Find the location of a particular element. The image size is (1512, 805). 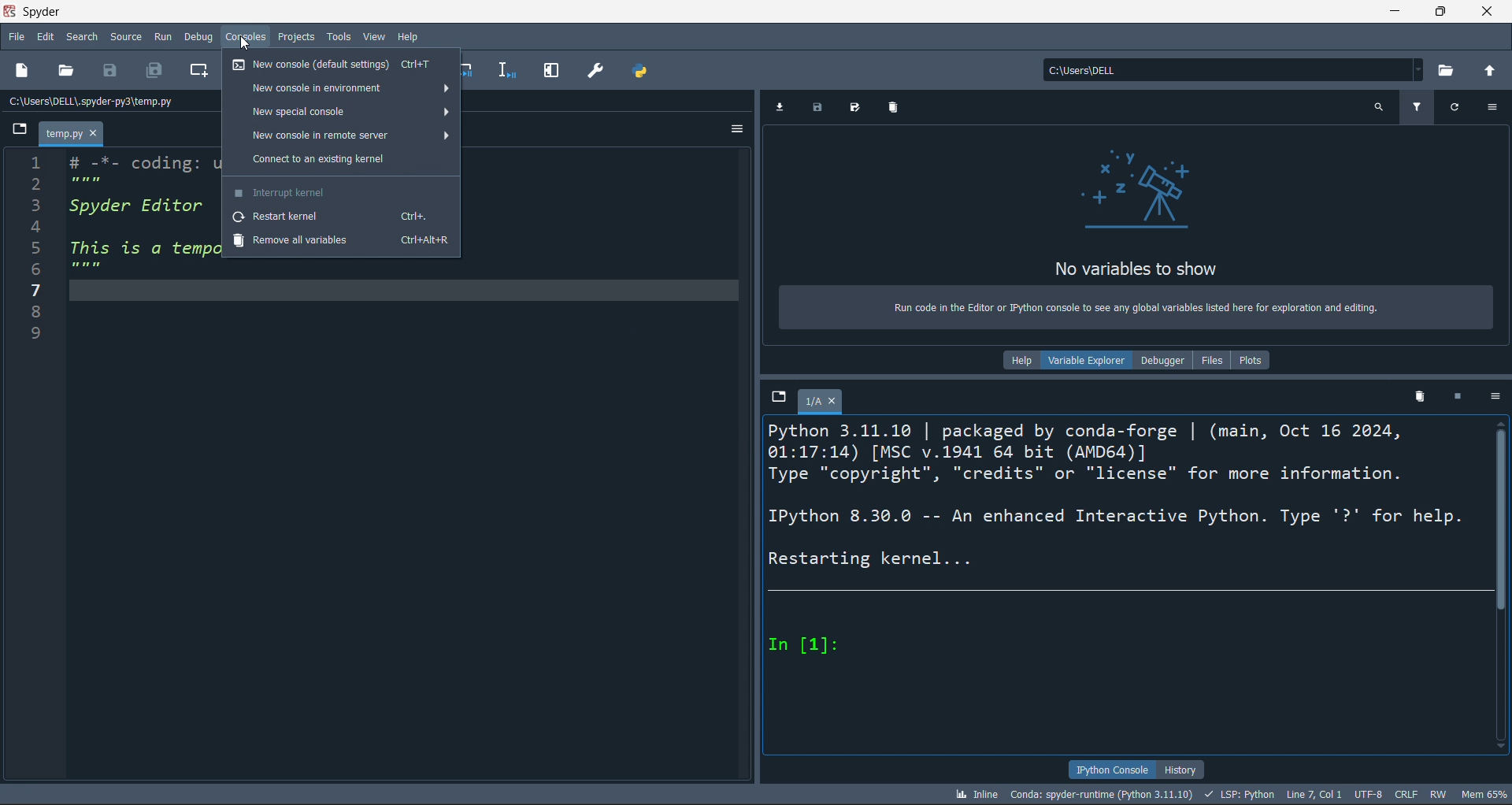

Python 3.11.10 | packaged by conda-forge | (main, Oct 16 2024,
01:17:14) [MSC v.1941 64 bit (AMD64)]

Type "copyright", "credits" or "license" for more information.
IPython 8.30.0 -- An enhanced Interactive Python. Type '?' for help.
Restarting kernel... is located at coordinates (1120, 498).